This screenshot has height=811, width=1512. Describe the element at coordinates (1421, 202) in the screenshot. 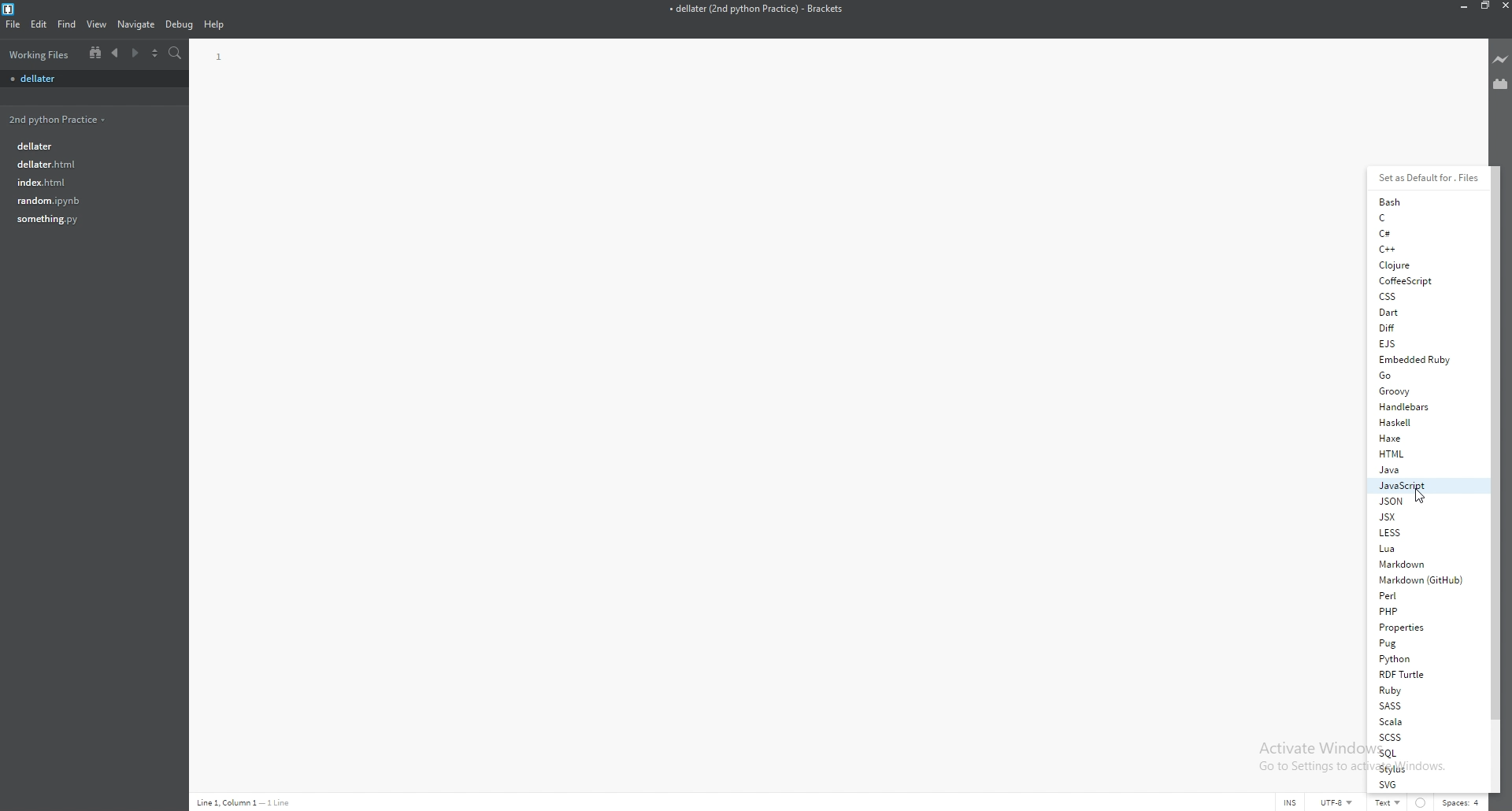

I see `bash` at that location.